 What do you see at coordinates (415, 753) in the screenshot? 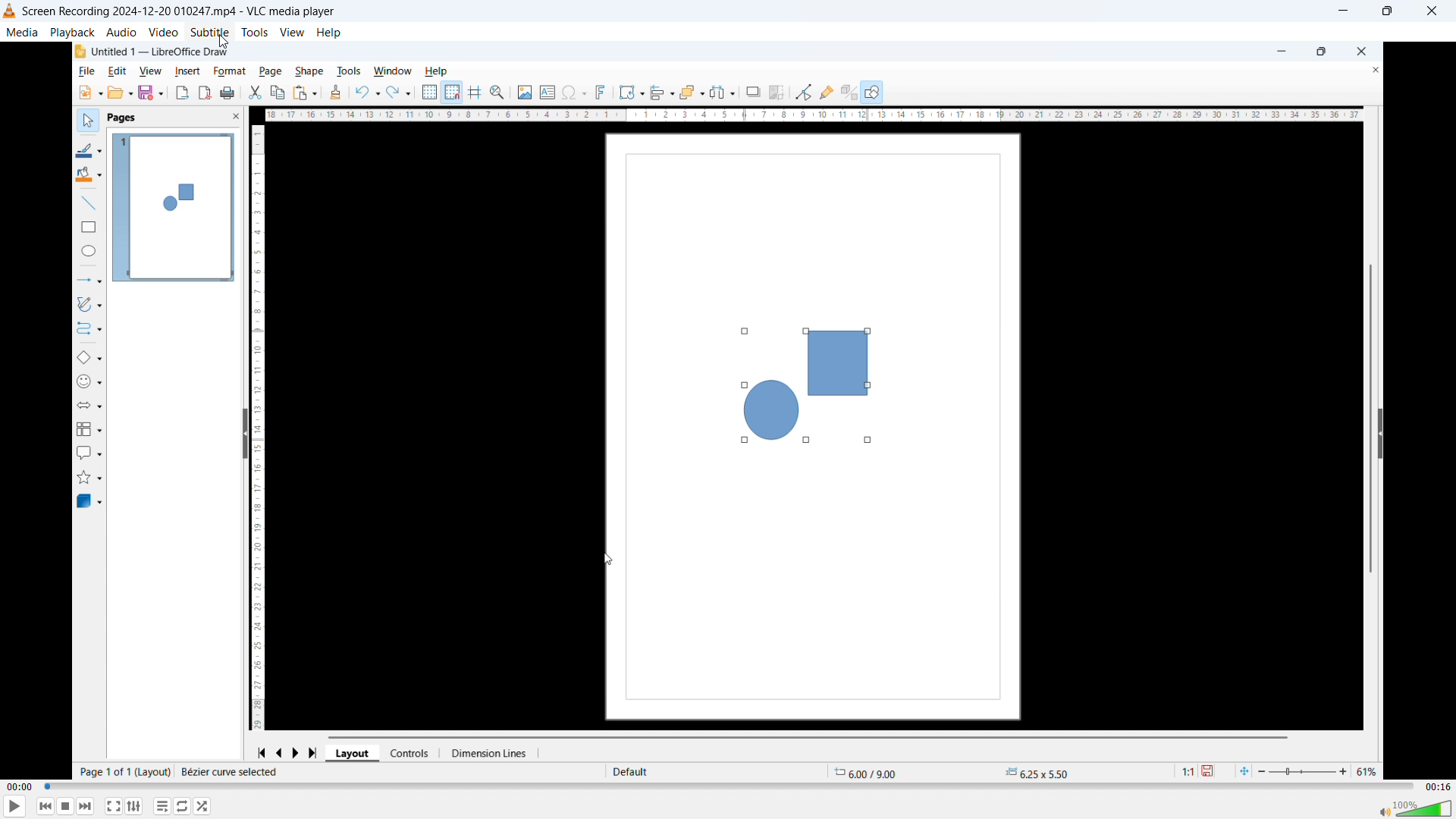
I see `Controls ` at bounding box center [415, 753].